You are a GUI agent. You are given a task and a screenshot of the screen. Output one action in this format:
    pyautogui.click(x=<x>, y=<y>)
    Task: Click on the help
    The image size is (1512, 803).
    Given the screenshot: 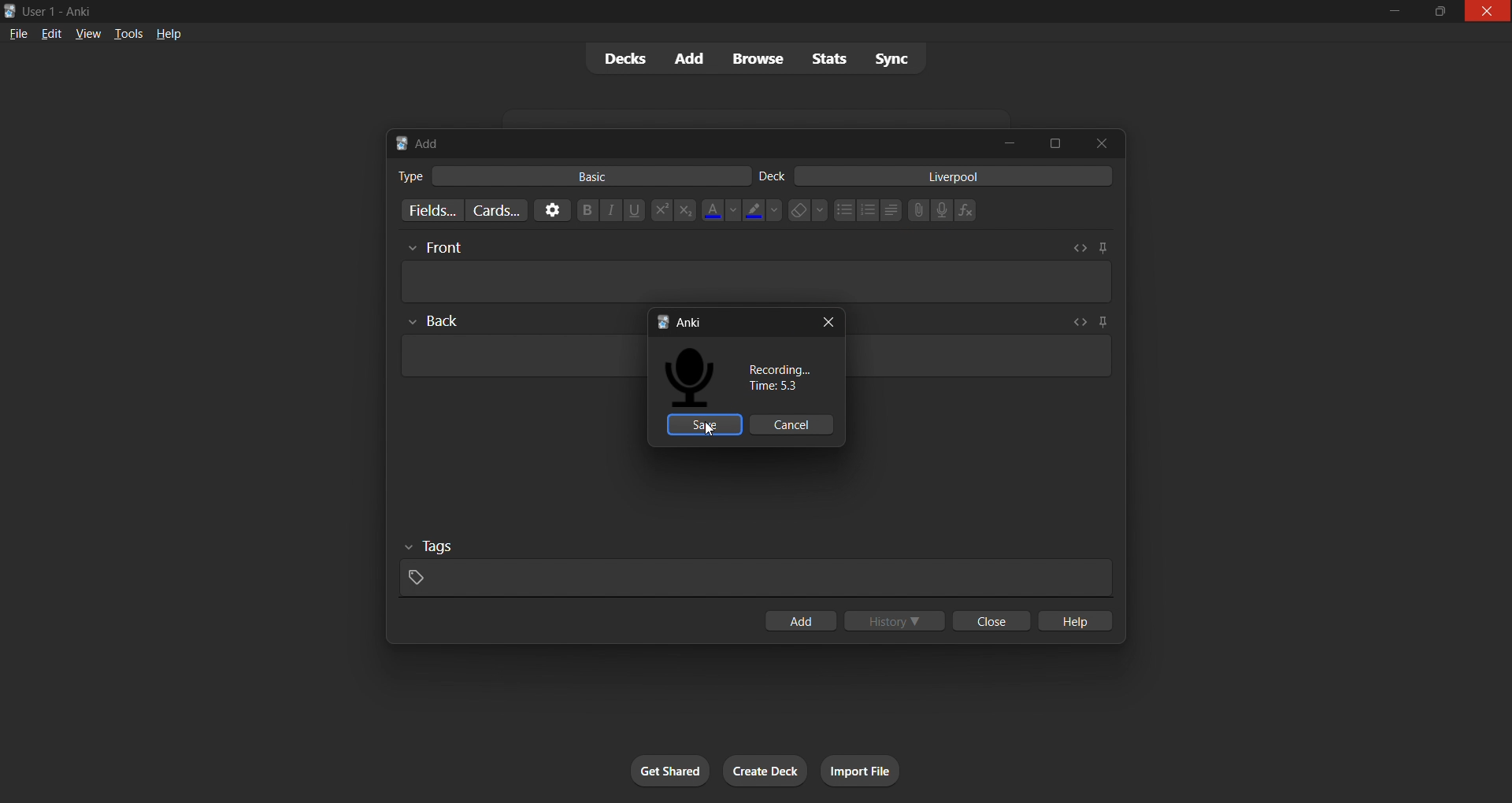 What is the action you would take?
    pyautogui.click(x=1080, y=620)
    